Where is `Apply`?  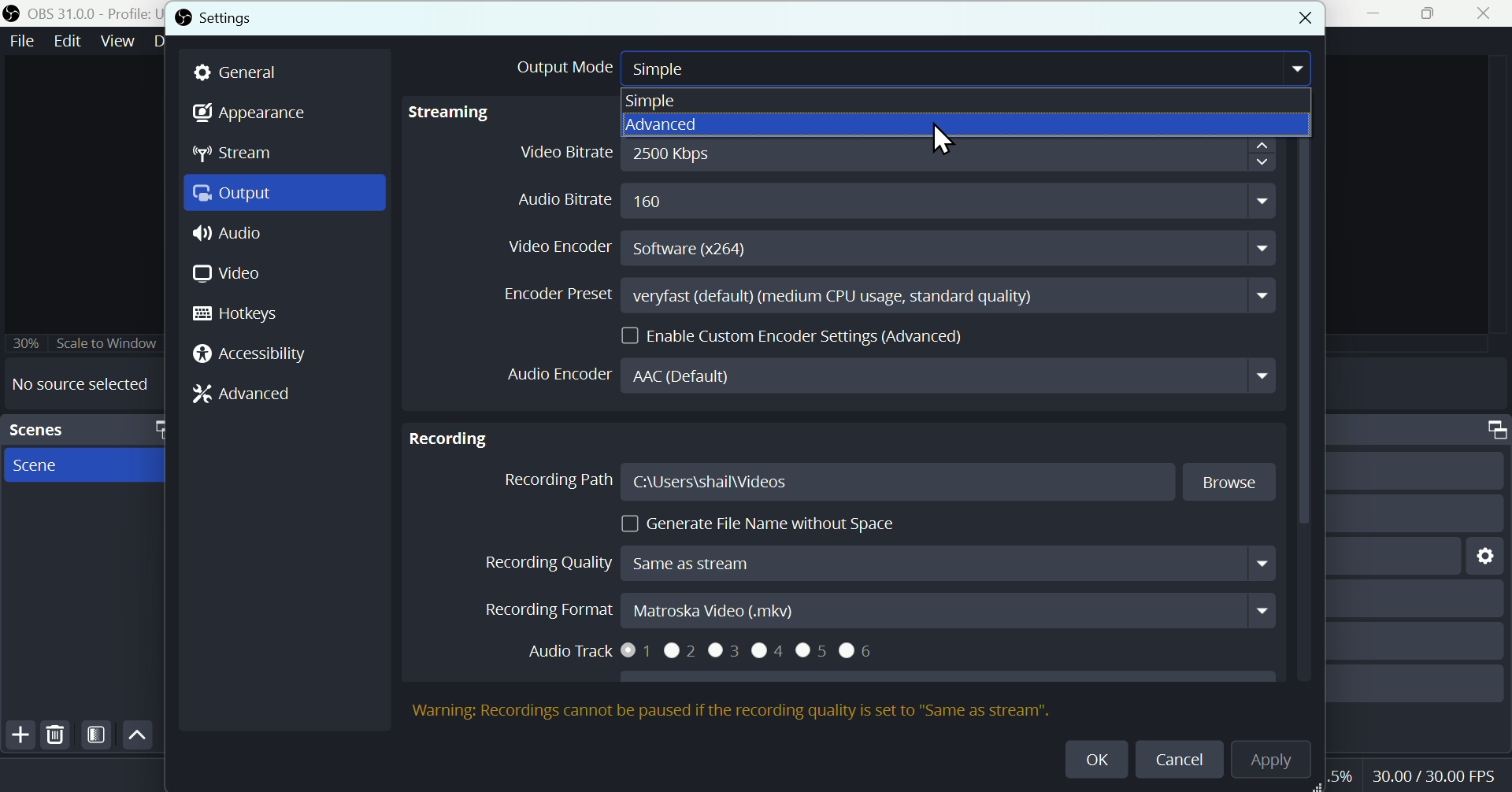 Apply is located at coordinates (1280, 761).